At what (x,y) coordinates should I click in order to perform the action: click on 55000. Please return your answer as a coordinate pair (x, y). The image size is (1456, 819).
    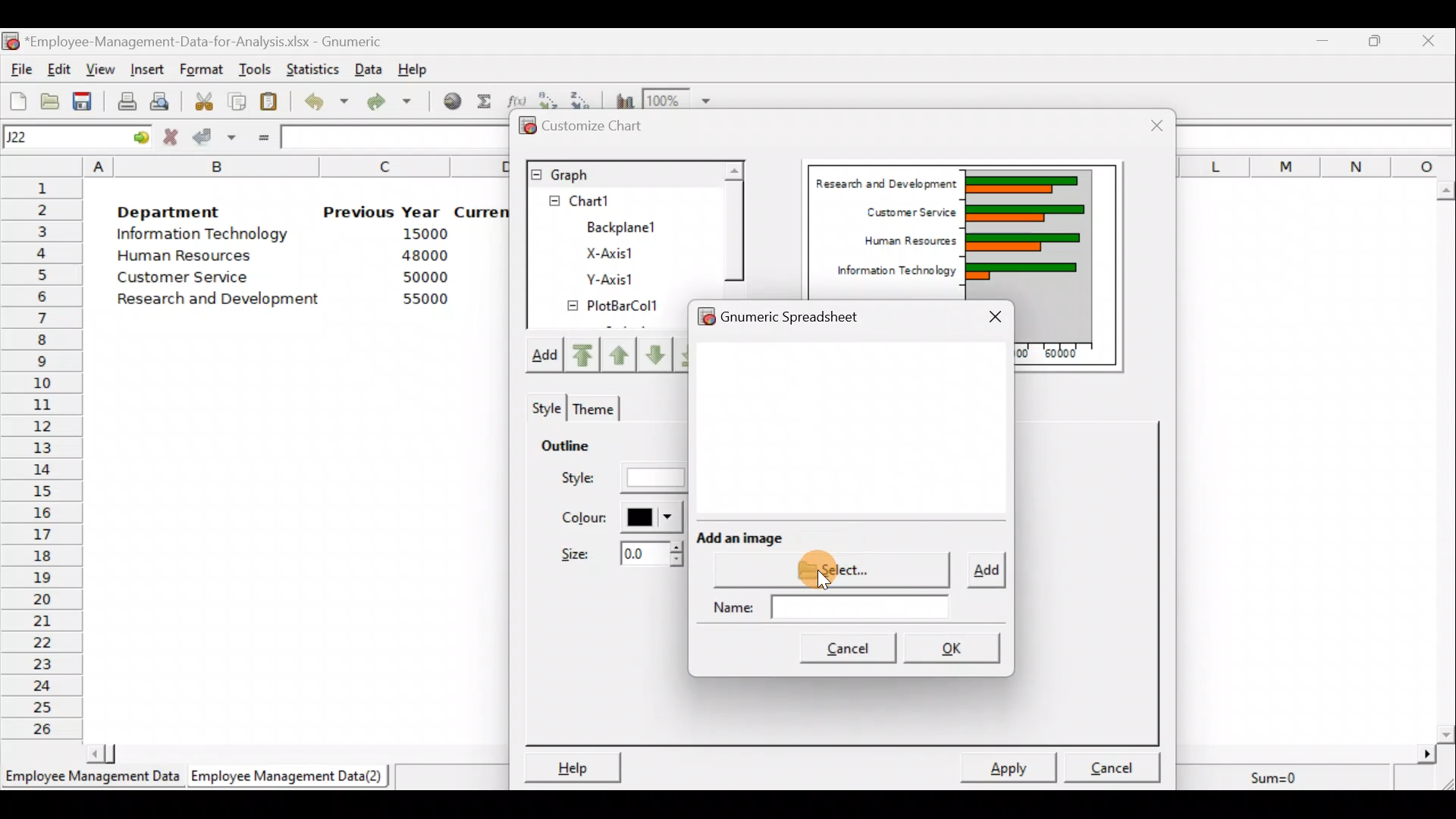
    Looking at the image, I should click on (423, 300).